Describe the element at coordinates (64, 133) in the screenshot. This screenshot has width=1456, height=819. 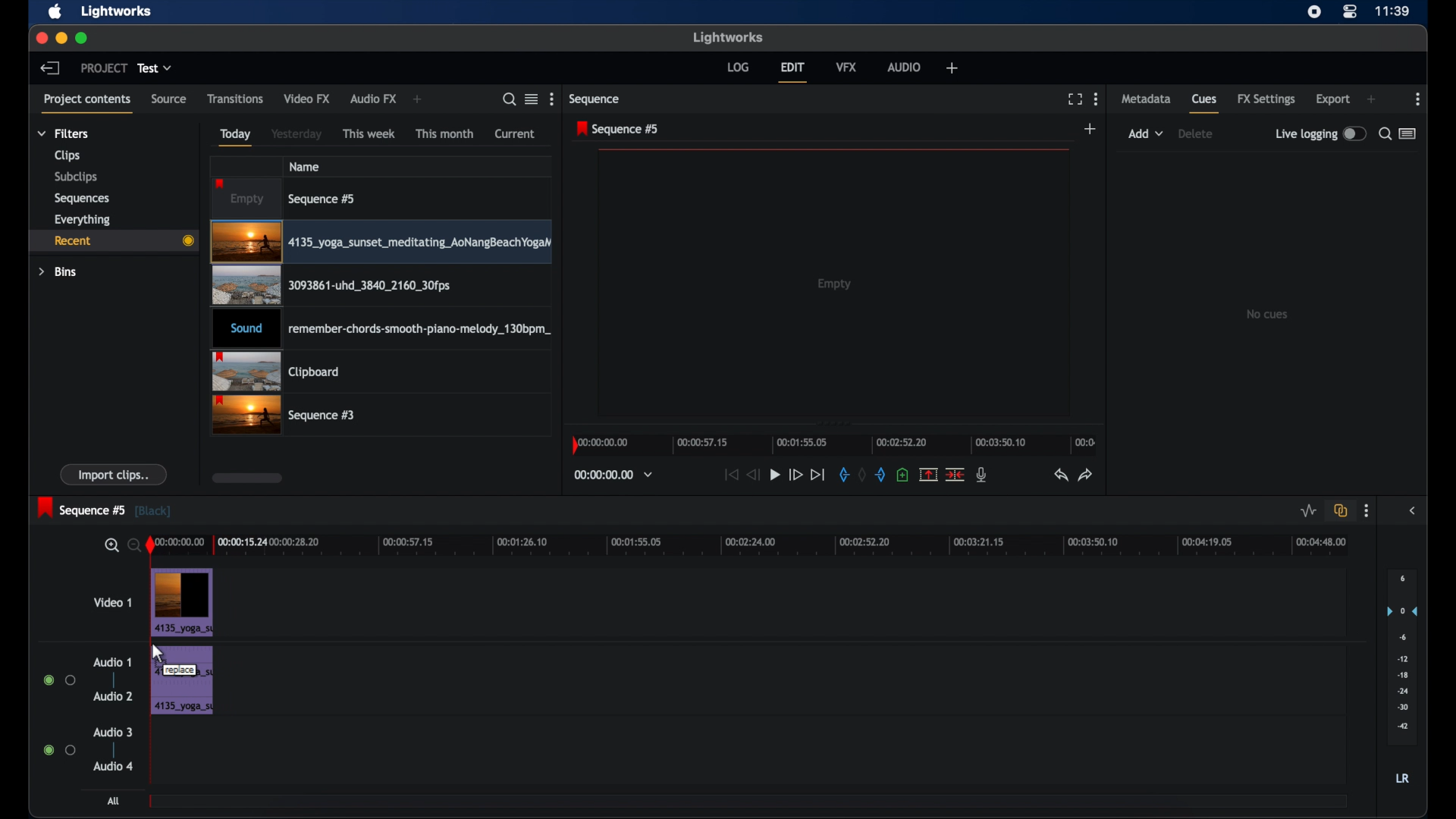
I see `filters` at that location.